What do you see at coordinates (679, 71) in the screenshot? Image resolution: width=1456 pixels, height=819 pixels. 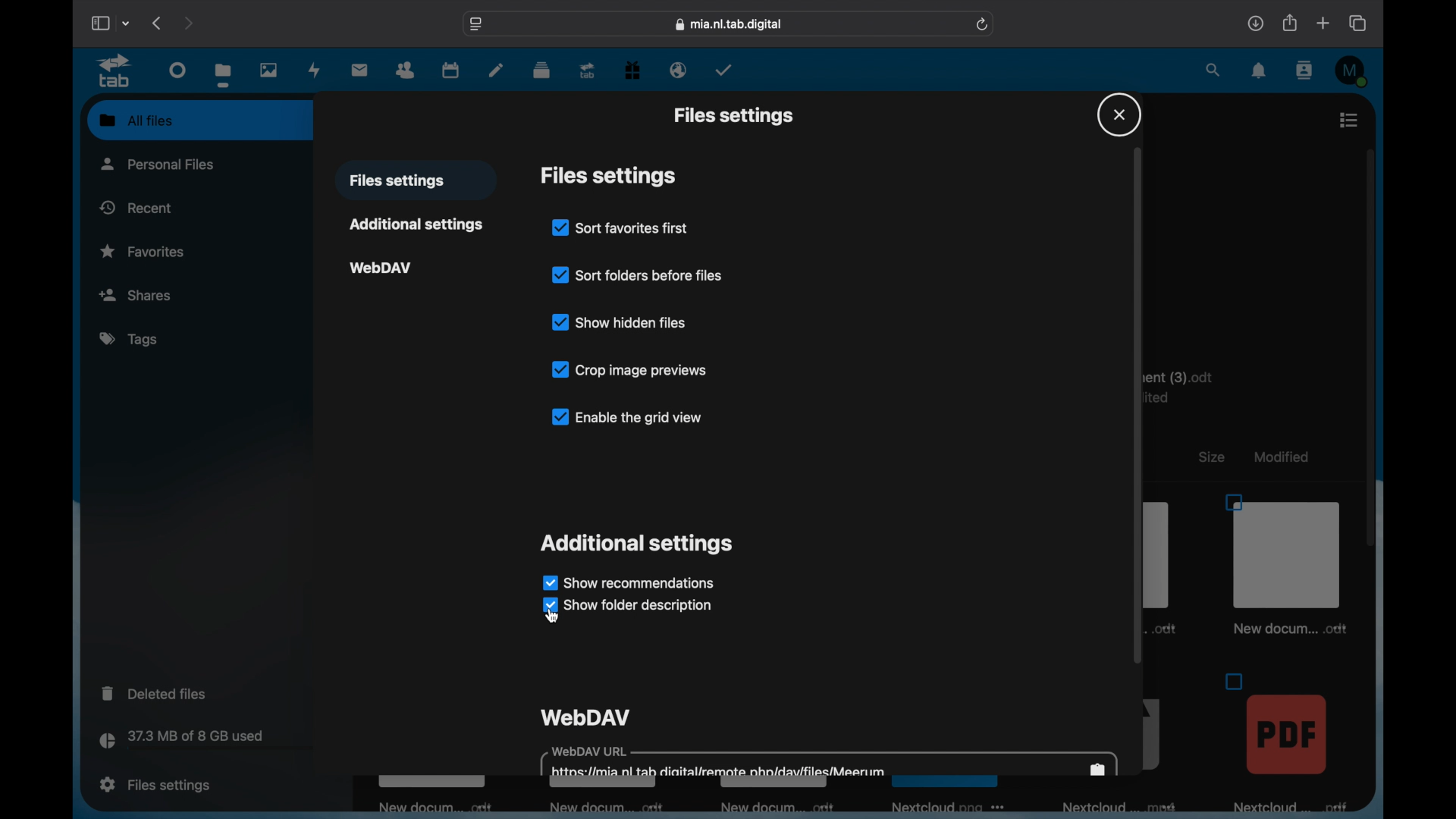 I see `email` at bounding box center [679, 71].